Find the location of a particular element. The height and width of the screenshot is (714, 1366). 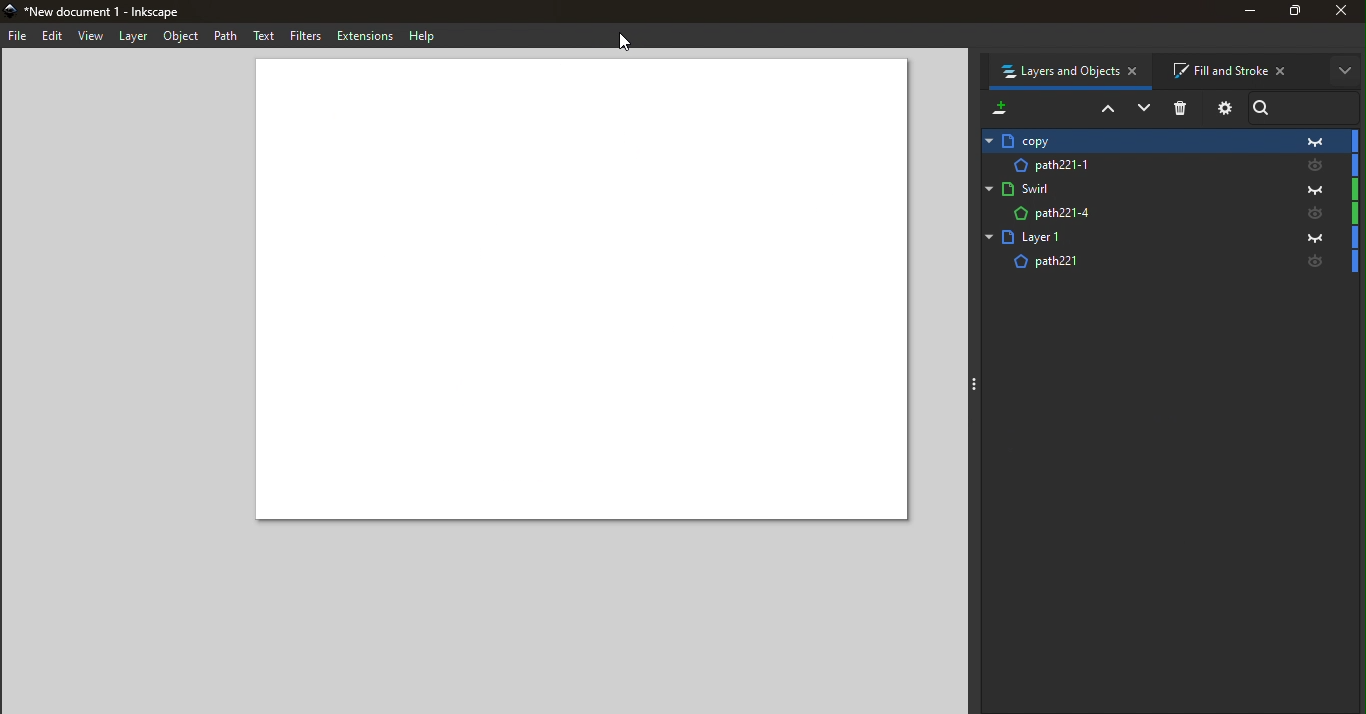

Text is located at coordinates (262, 34).